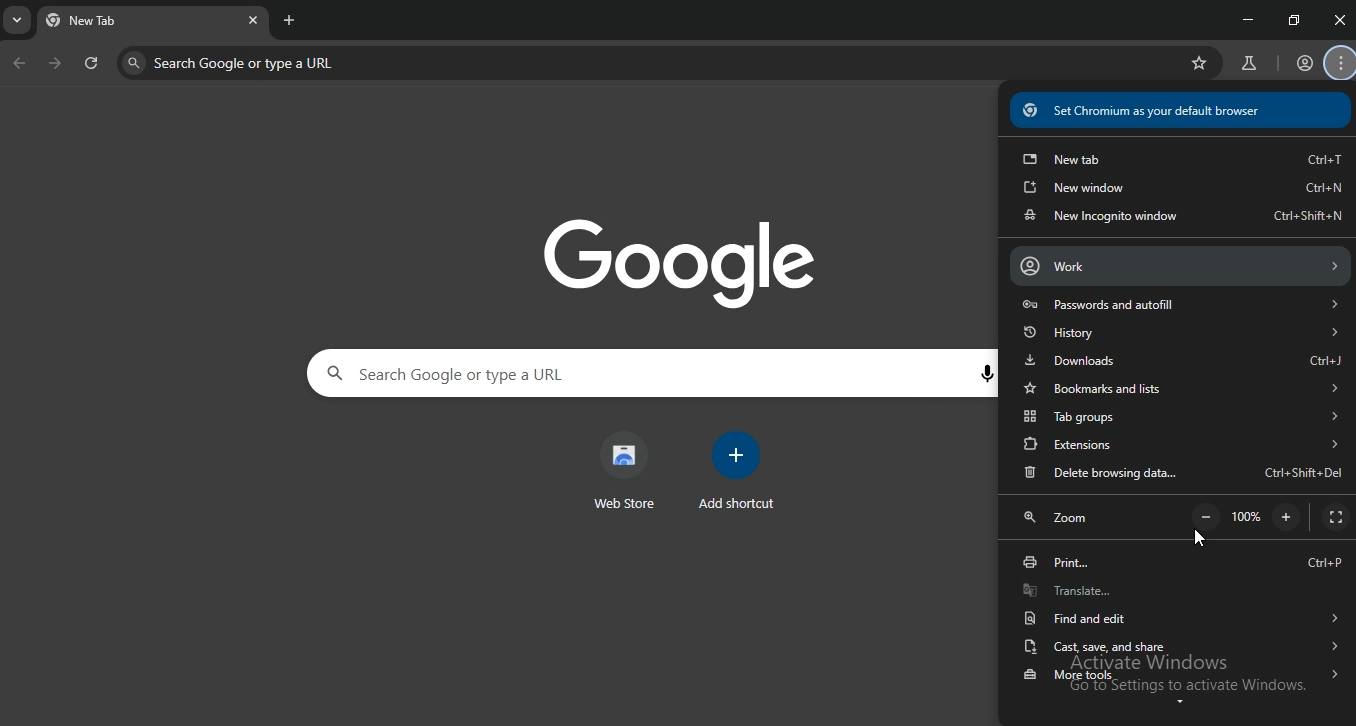  Describe the element at coordinates (1206, 519) in the screenshot. I see `zoom out` at that location.